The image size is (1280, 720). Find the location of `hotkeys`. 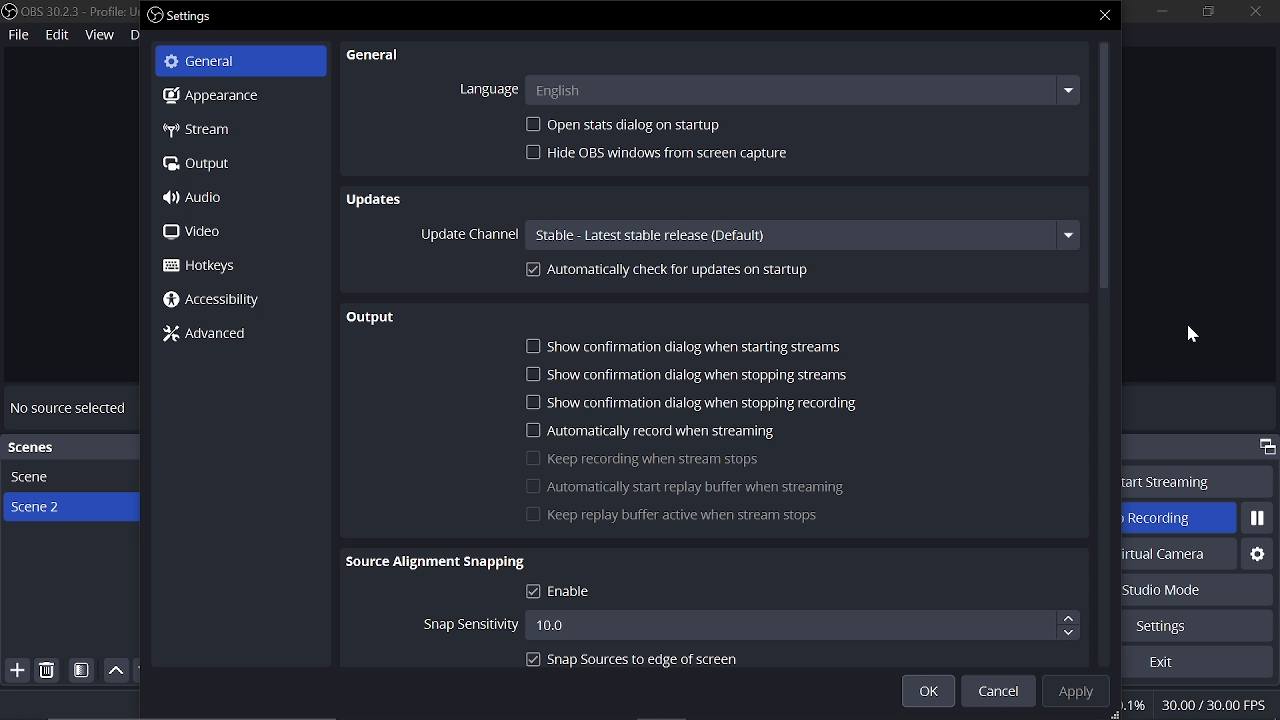

hotkeys is located at coordinates (230, 267).